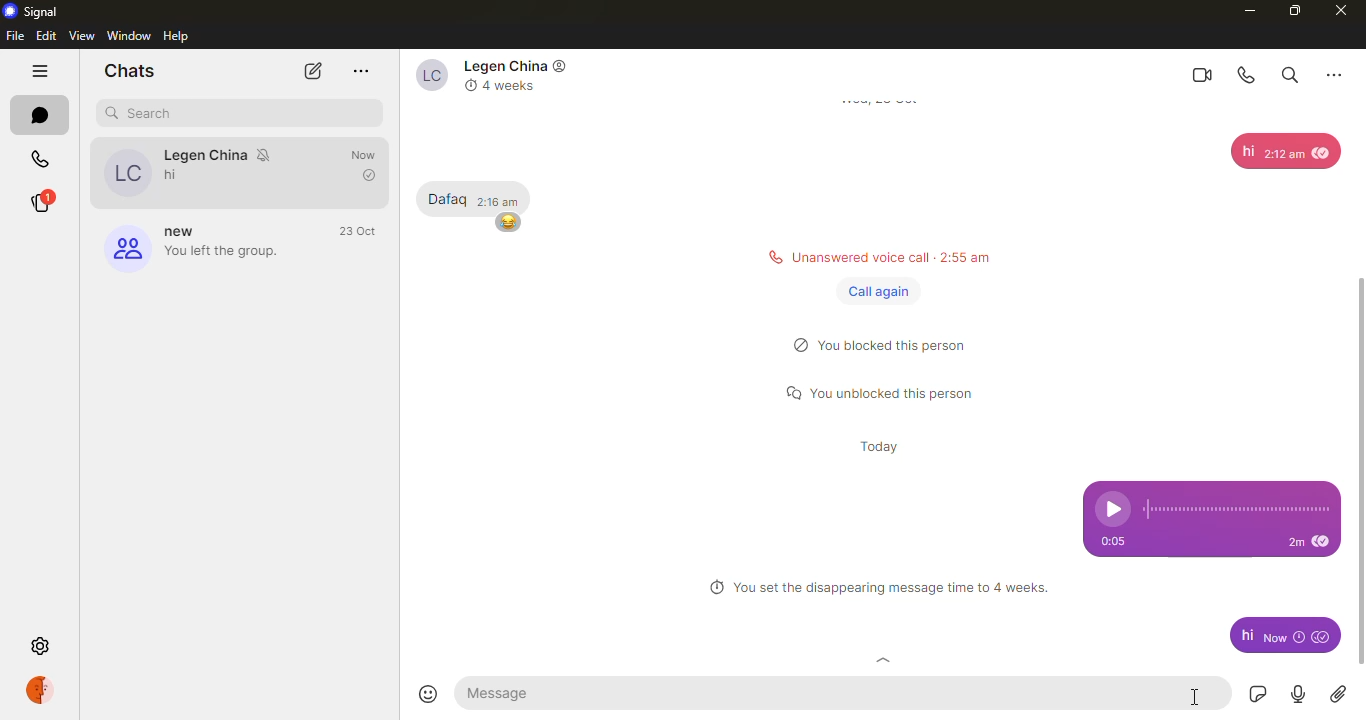 The image size is (1366, 720). Describe the element at coordinates (179, 36) in the screenshot. I see `help` at that location.